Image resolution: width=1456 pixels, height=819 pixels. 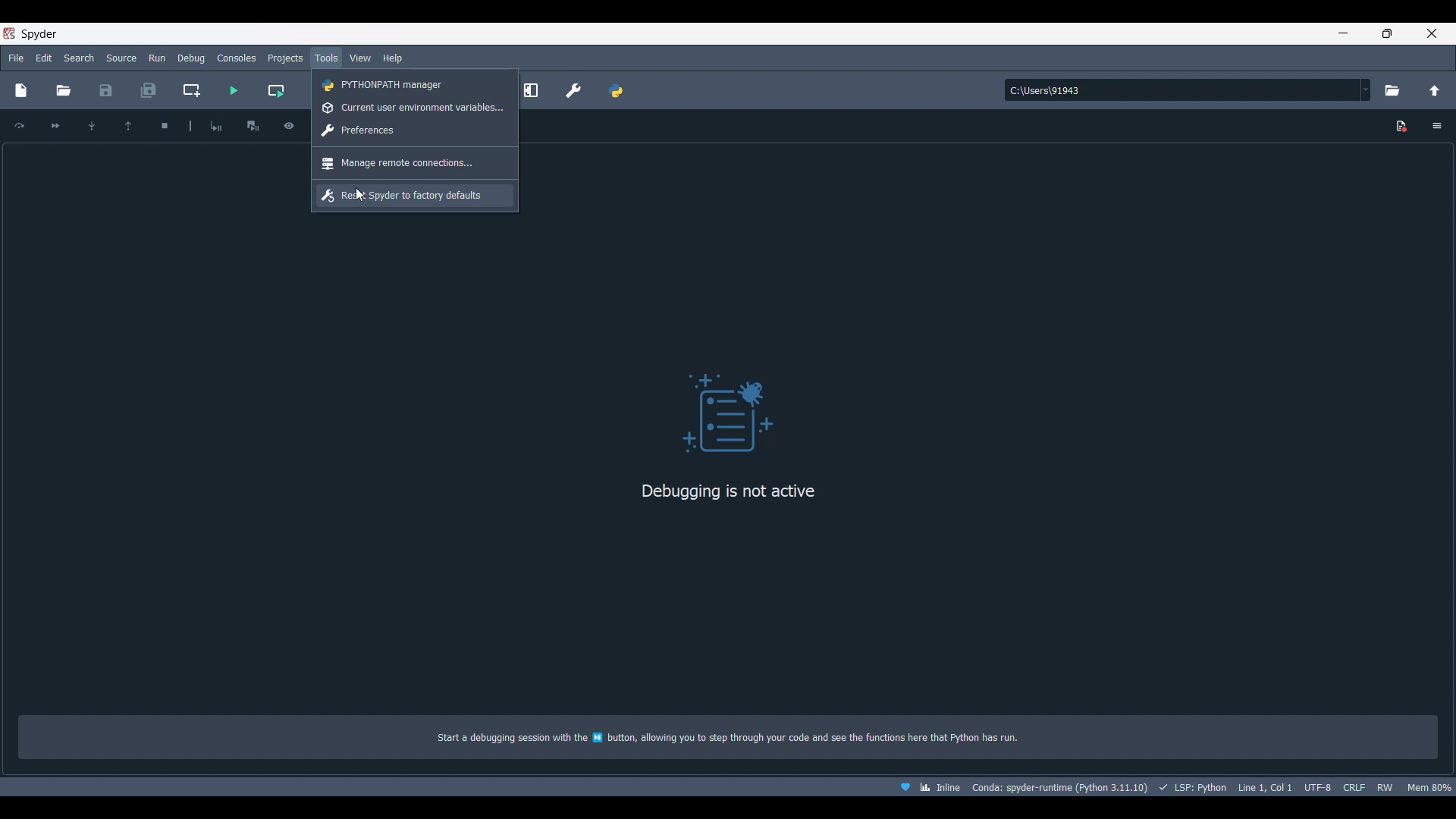 I want to click on Reset Spyder to factory defaults, highlighted by cursor, so click(x=415, y=196).